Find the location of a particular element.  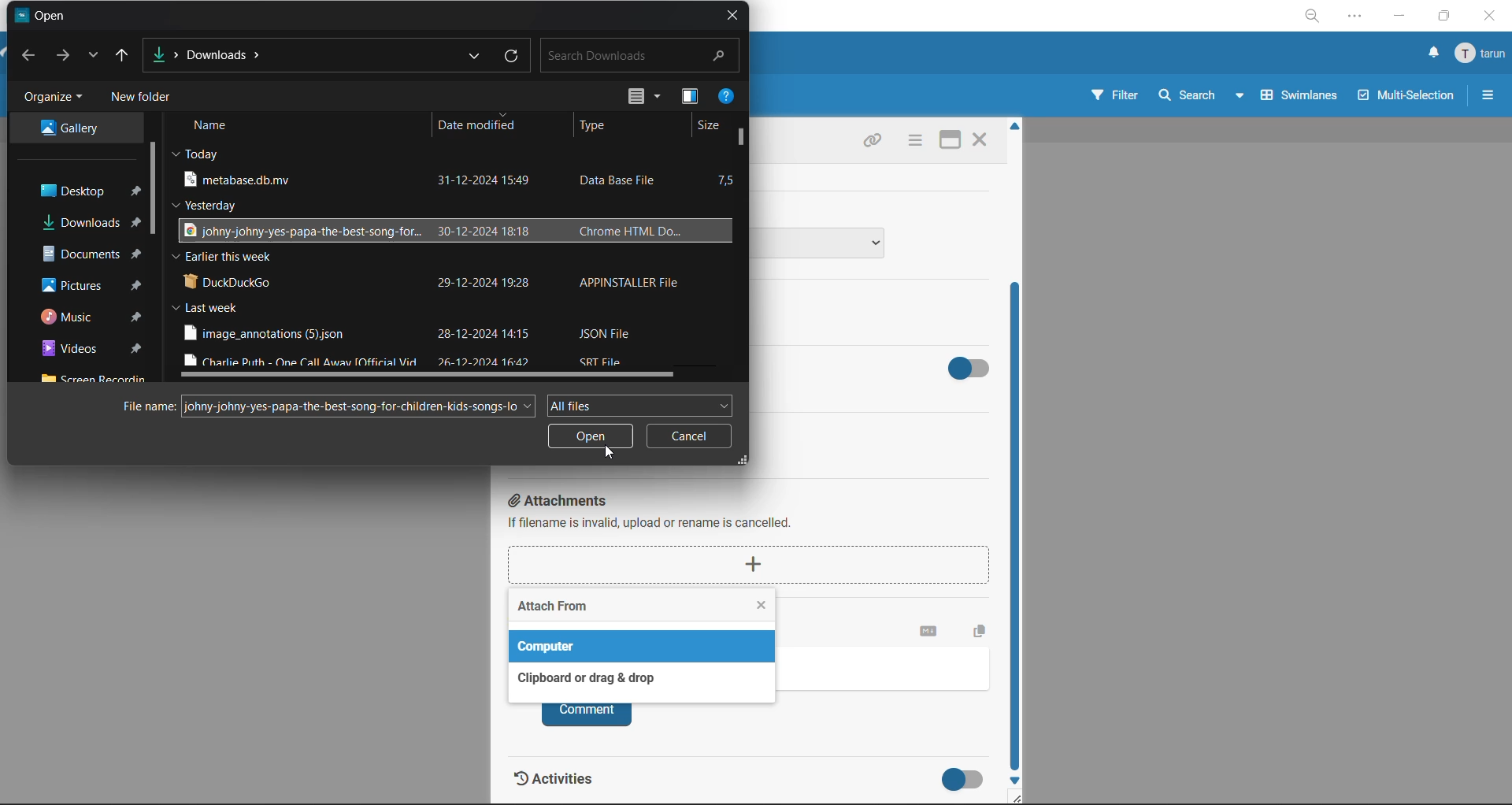

next is located at coordinates (65, 57).